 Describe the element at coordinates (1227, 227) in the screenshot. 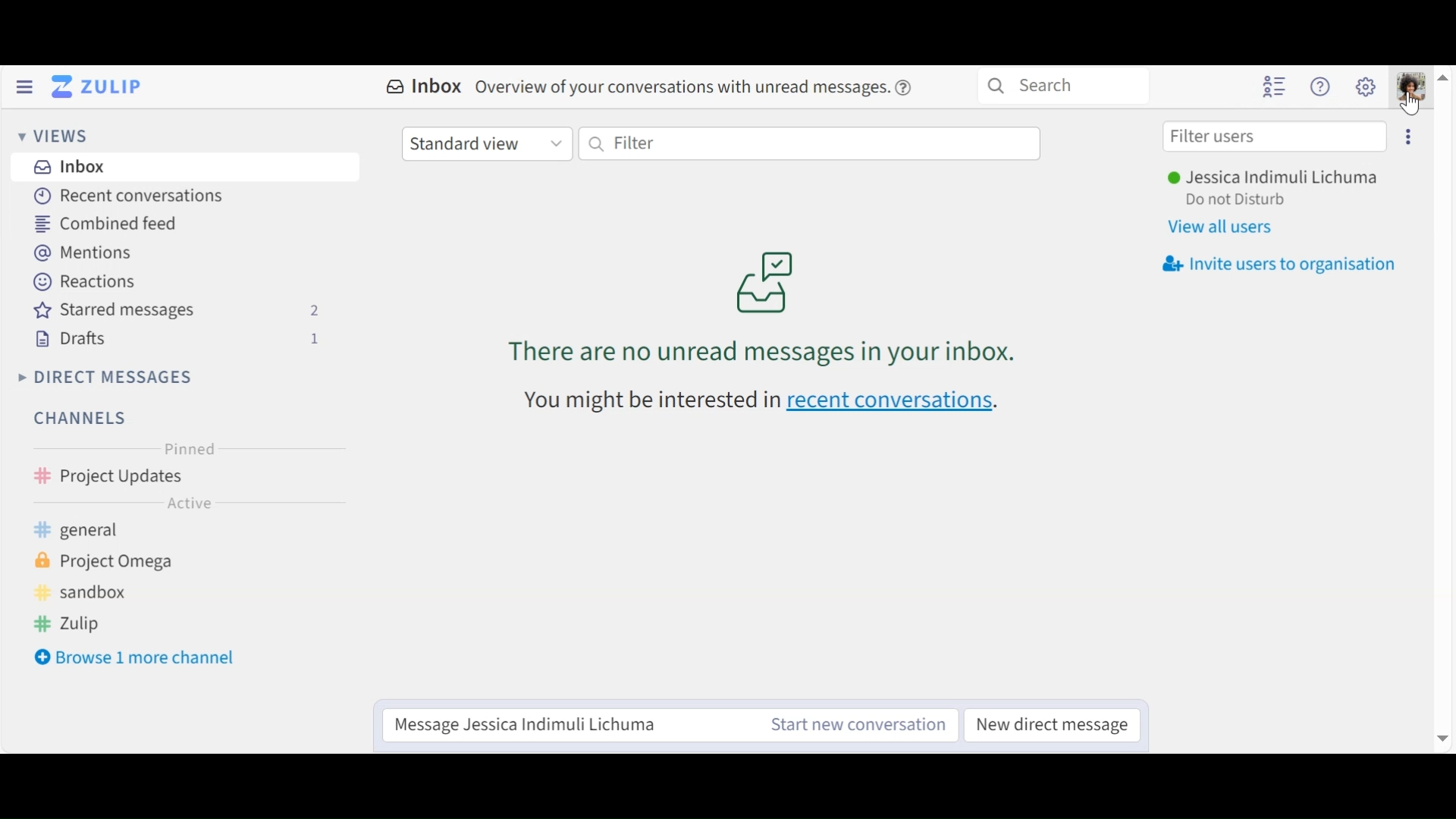

I see `View all users` at that location.